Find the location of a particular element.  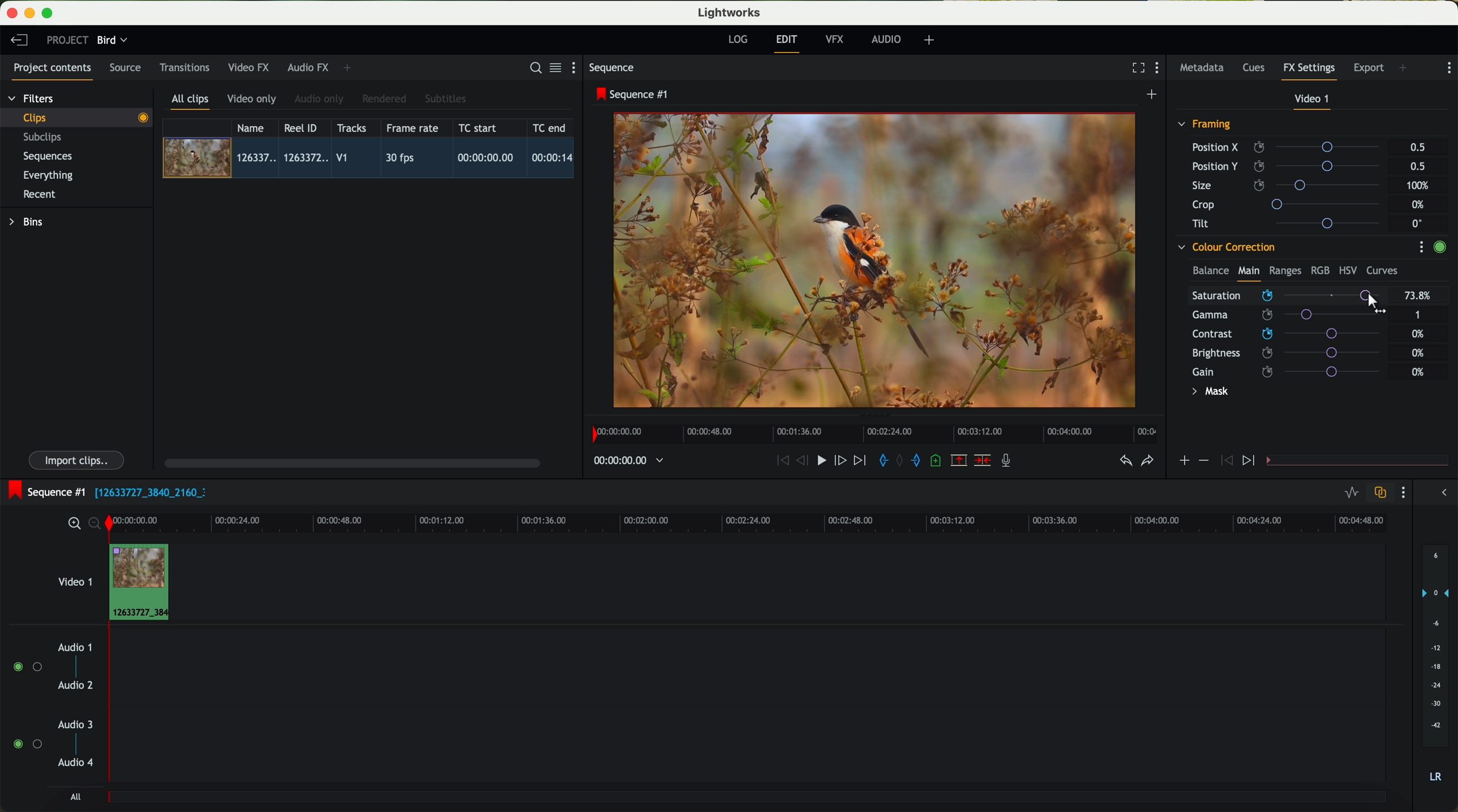

metadata is located at coordinates (1204, 68).